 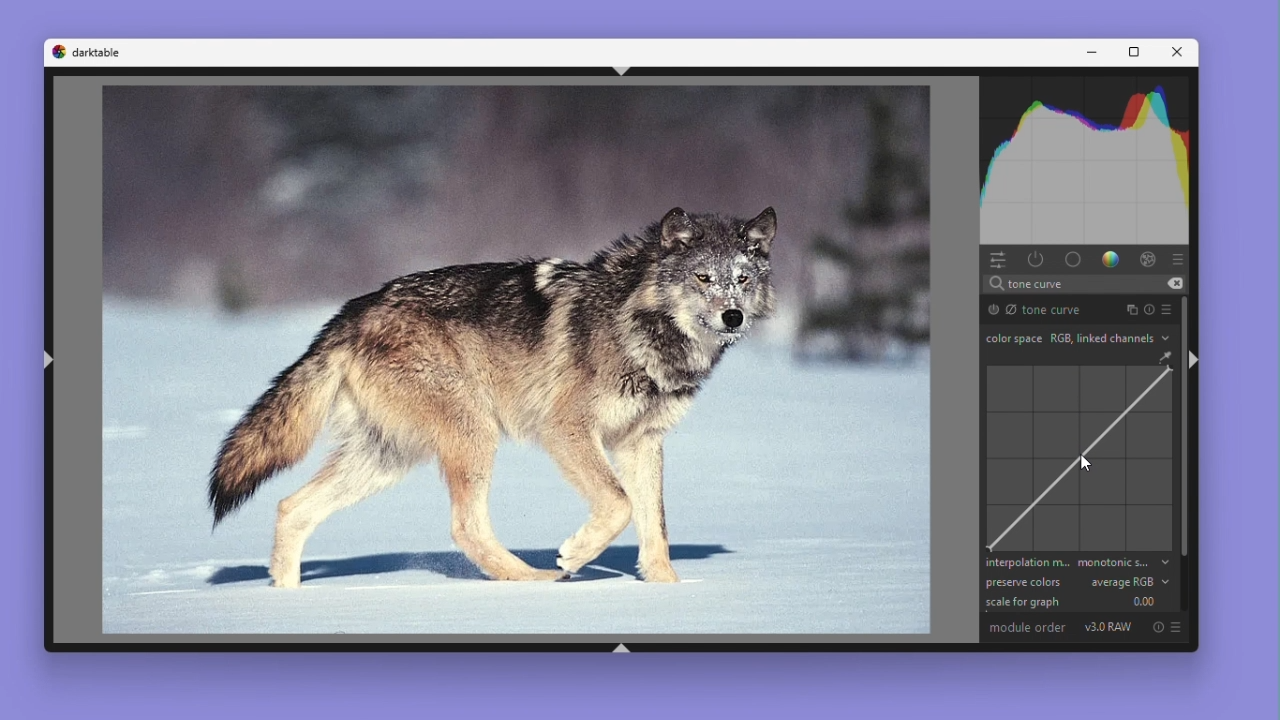 I want to click on Colour space RGB link channels, so click(x=1076, y=338).